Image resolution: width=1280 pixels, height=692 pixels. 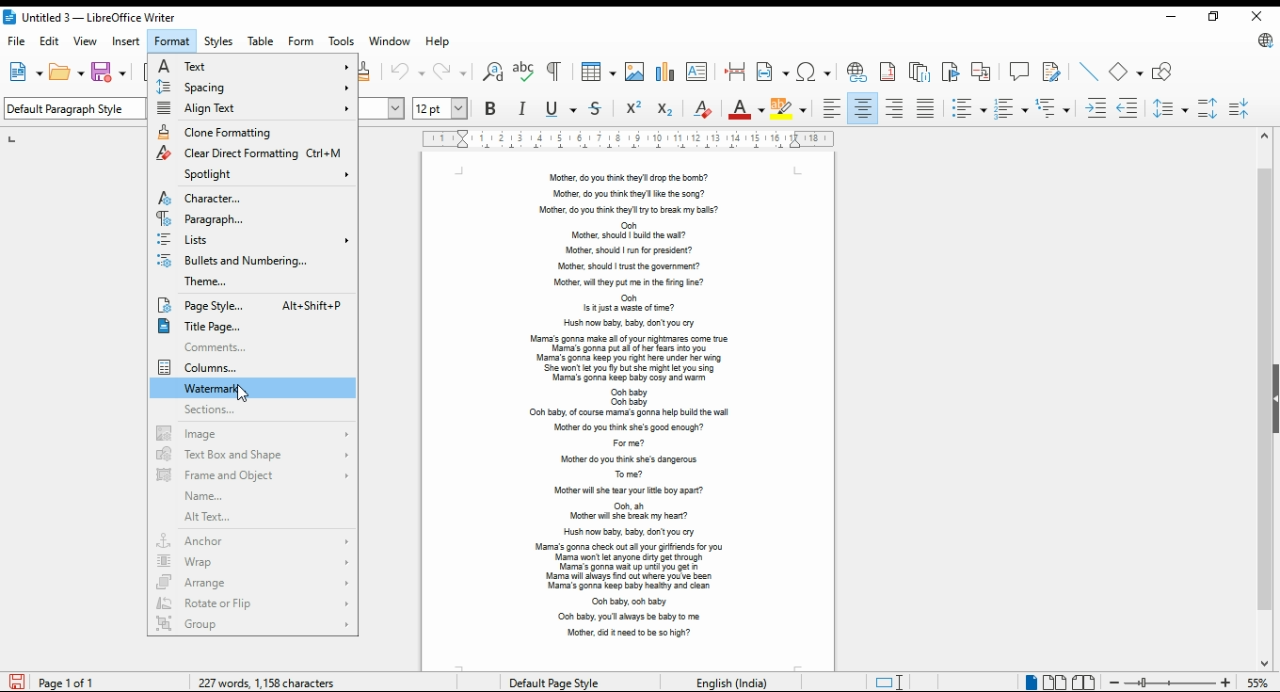 What do you see at coordinates (221, 41) in the screenshot?
I see `styles` at bounding box center [221, 41].